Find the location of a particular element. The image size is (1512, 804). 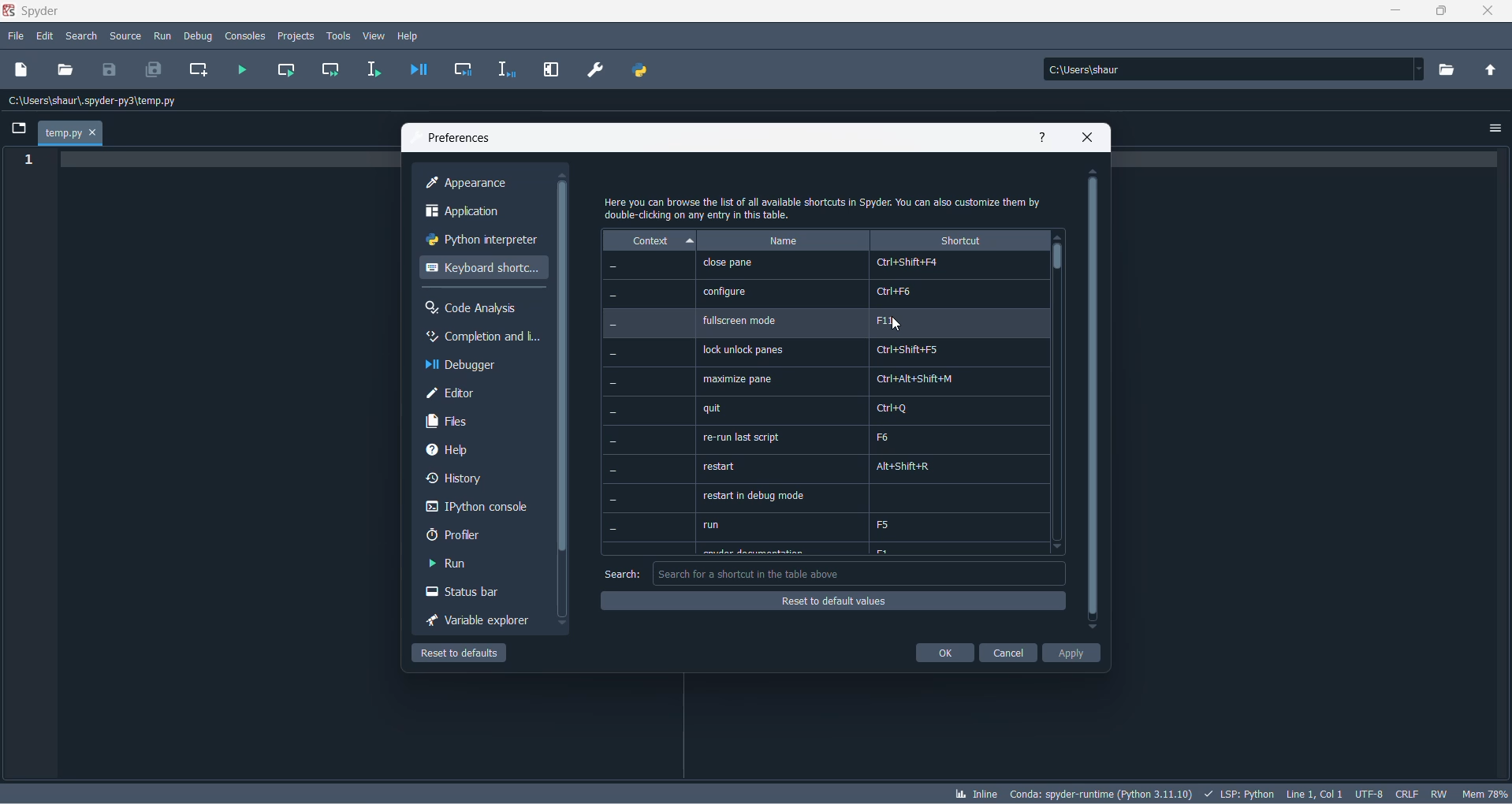

shortcut is located at coordinates (966, 241).